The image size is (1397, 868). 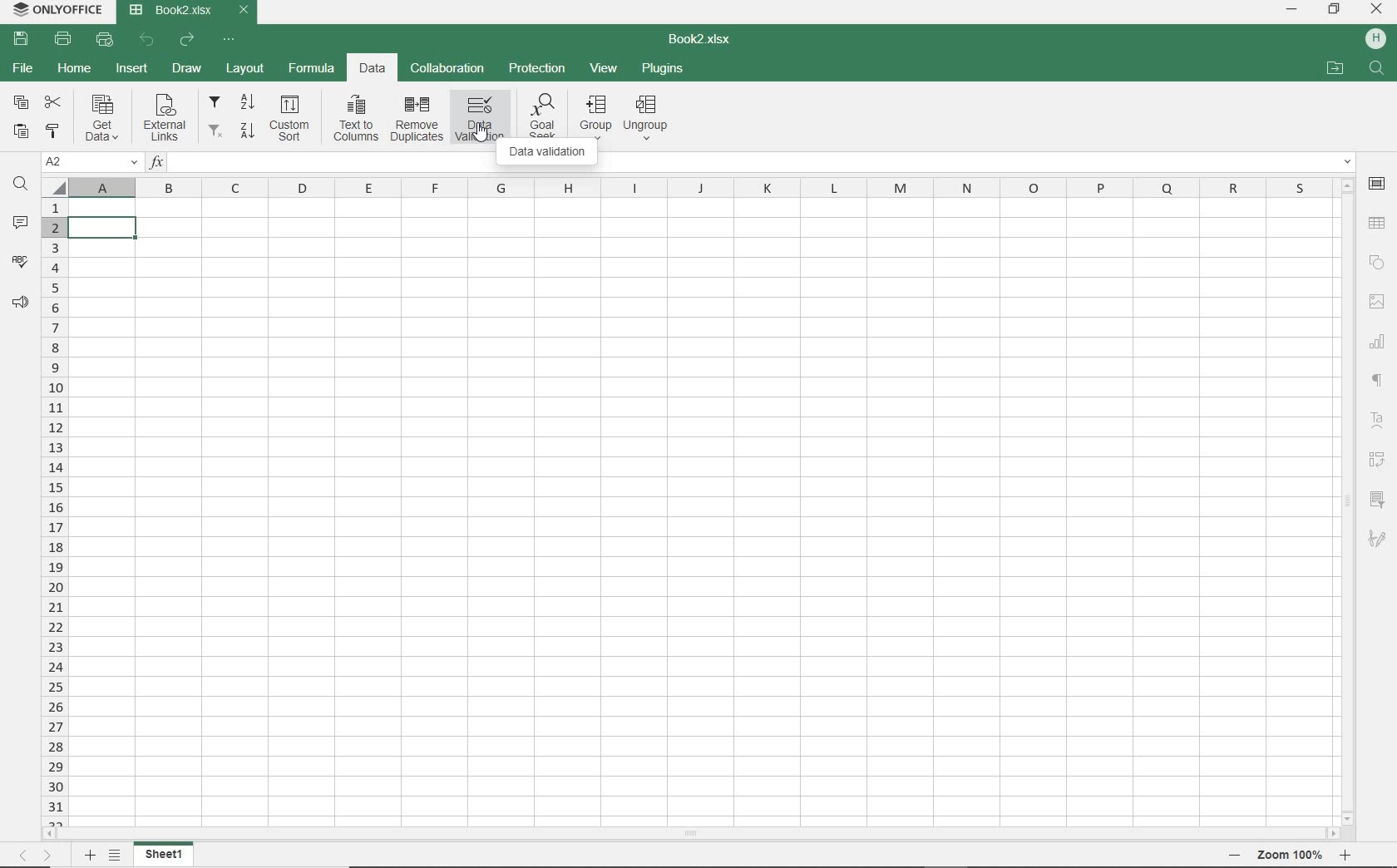 I want to click on FILE, so click(x=23, y=68).